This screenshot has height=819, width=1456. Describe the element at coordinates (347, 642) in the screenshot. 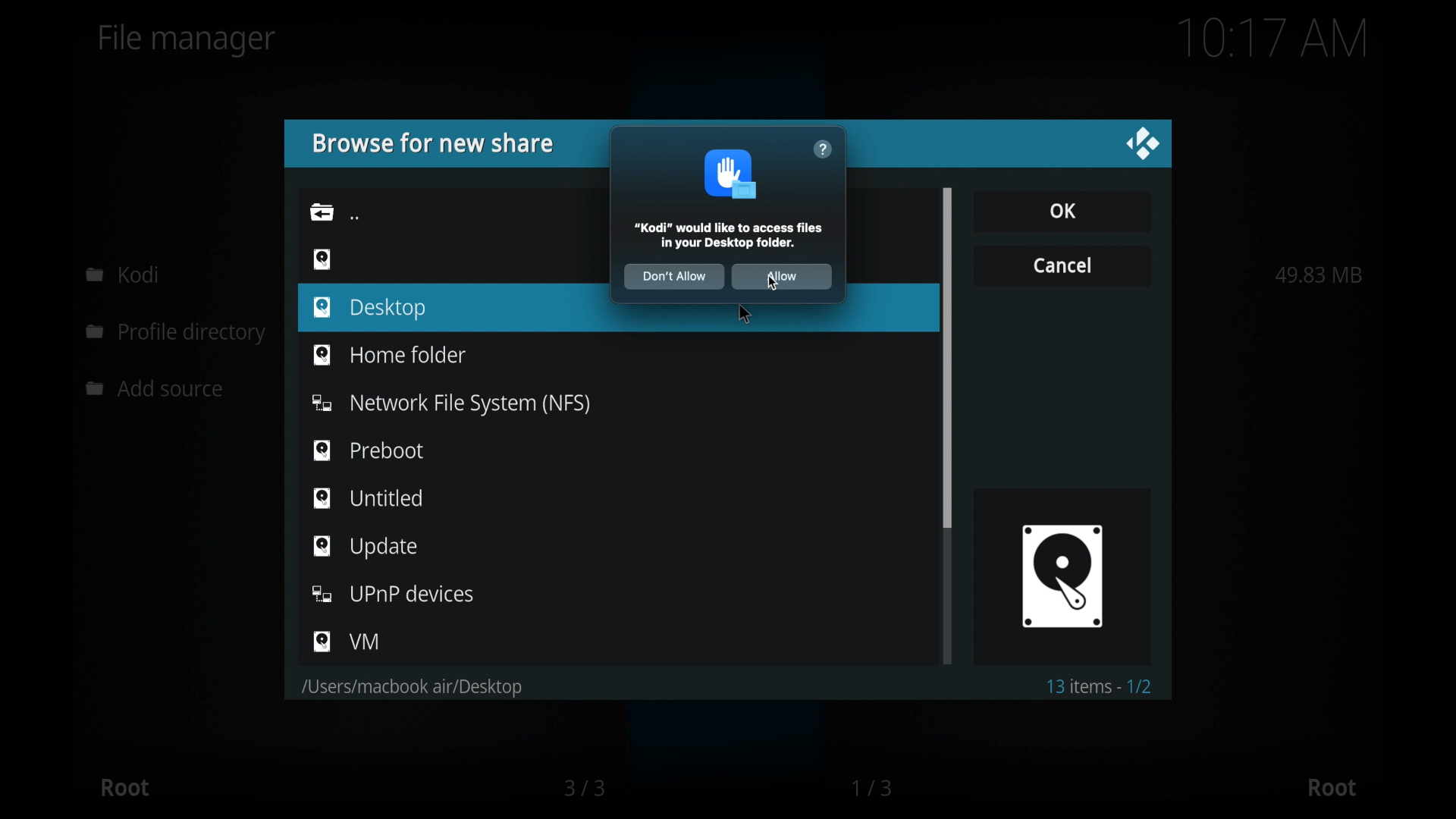

I see `VM` at that location.